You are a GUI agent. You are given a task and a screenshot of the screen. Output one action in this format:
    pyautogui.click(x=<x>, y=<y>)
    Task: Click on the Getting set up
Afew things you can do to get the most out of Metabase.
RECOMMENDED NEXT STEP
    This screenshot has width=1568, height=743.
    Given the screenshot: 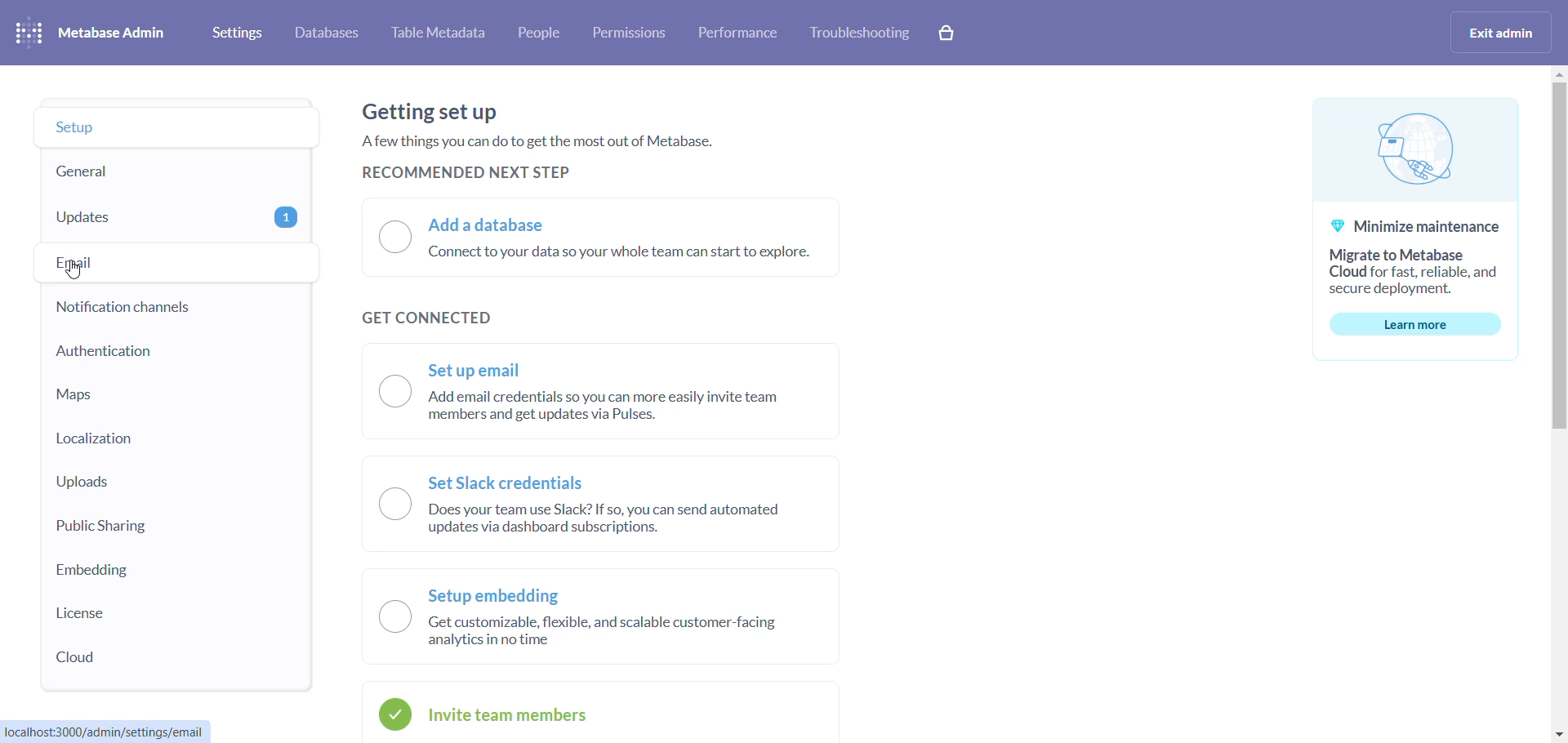 What is the action you would take?
    pyautogui.click(x=549, y=142)
    